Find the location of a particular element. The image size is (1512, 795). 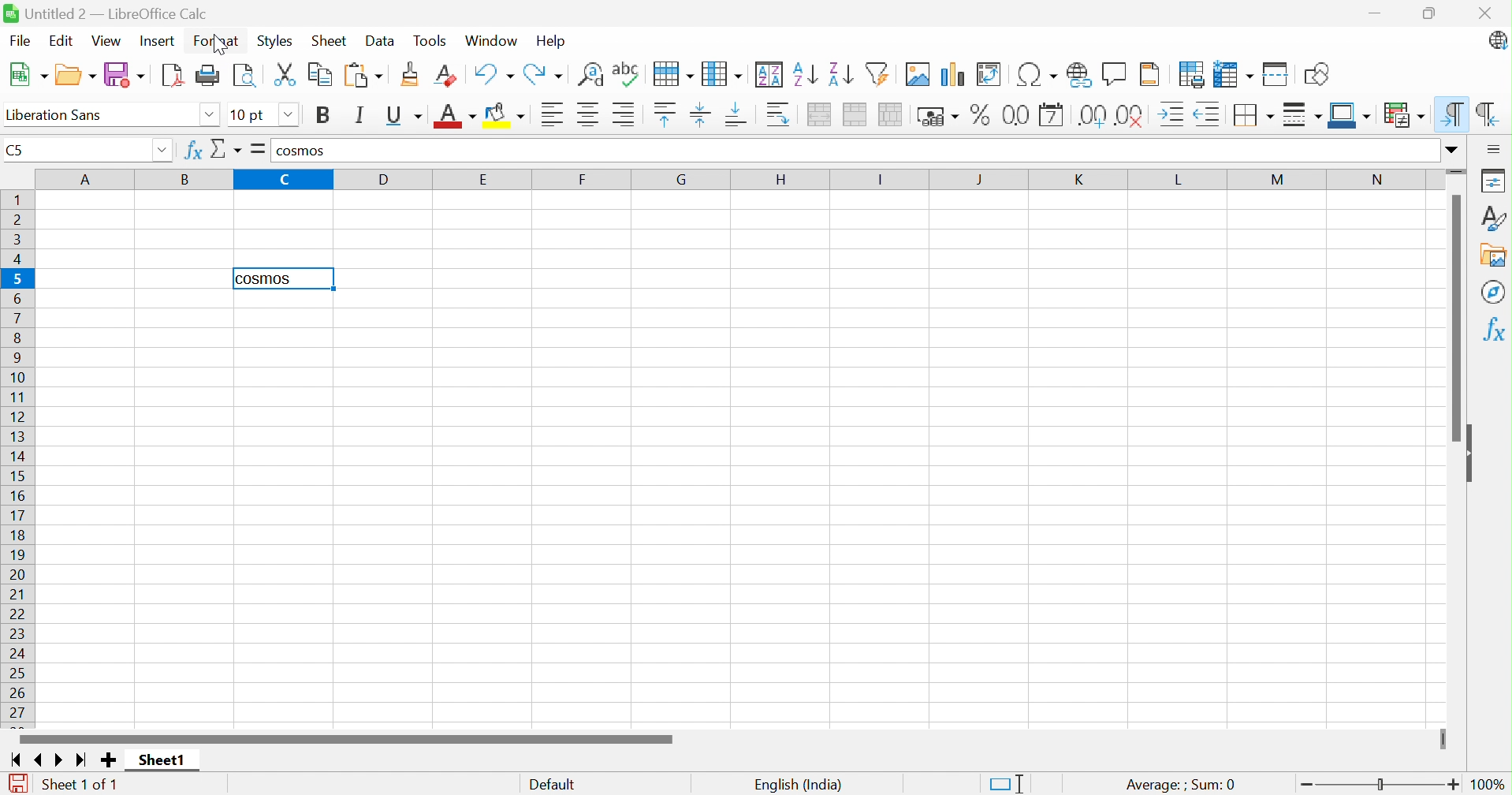

Font size is located at coordinates (251, 116).